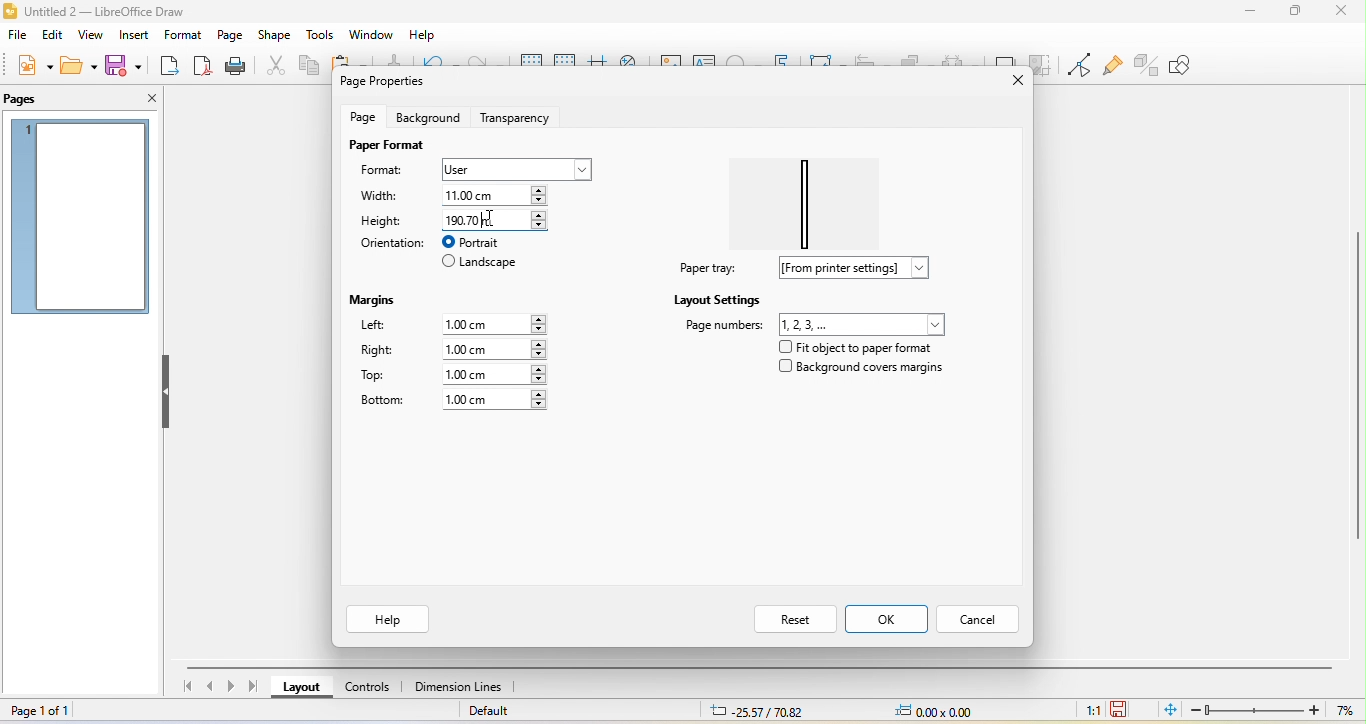 This screenshot has width=1366, height=724. I want to click on paper format, so click(386, 145).